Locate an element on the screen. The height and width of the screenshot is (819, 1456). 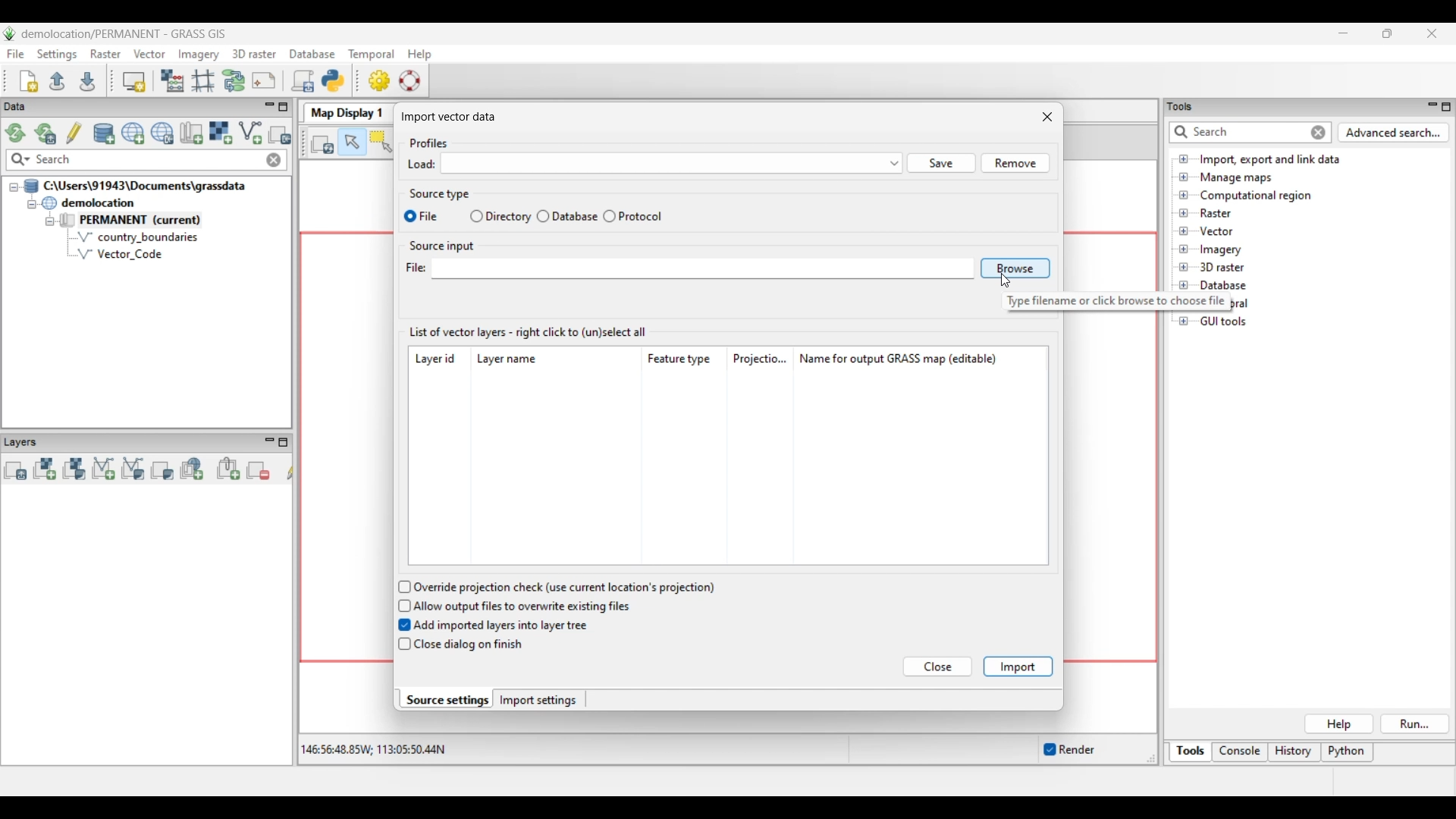
Save current workspace to file is located at coordinates (87, 80).